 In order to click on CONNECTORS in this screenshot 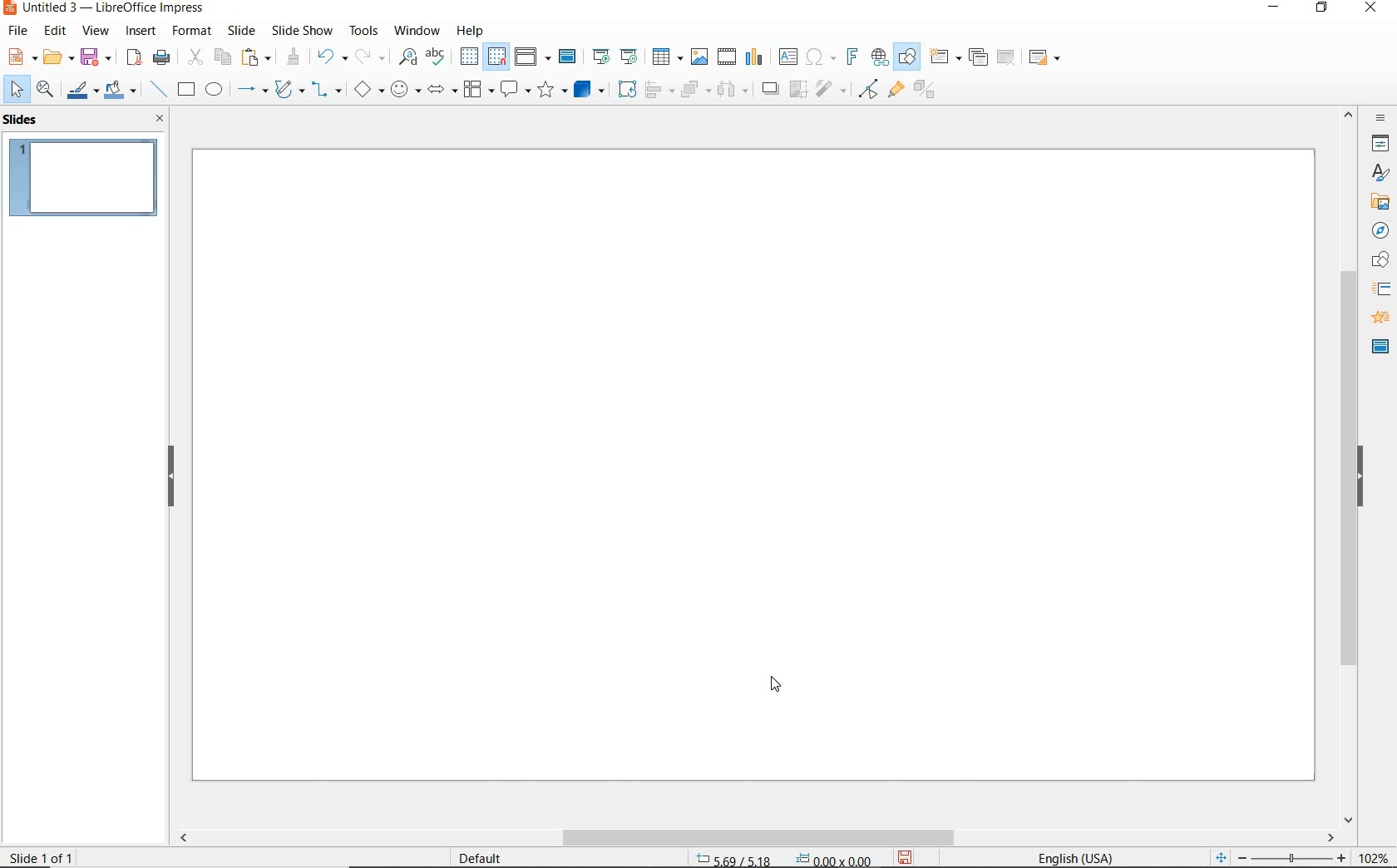, I will do `click(327, 88)`.